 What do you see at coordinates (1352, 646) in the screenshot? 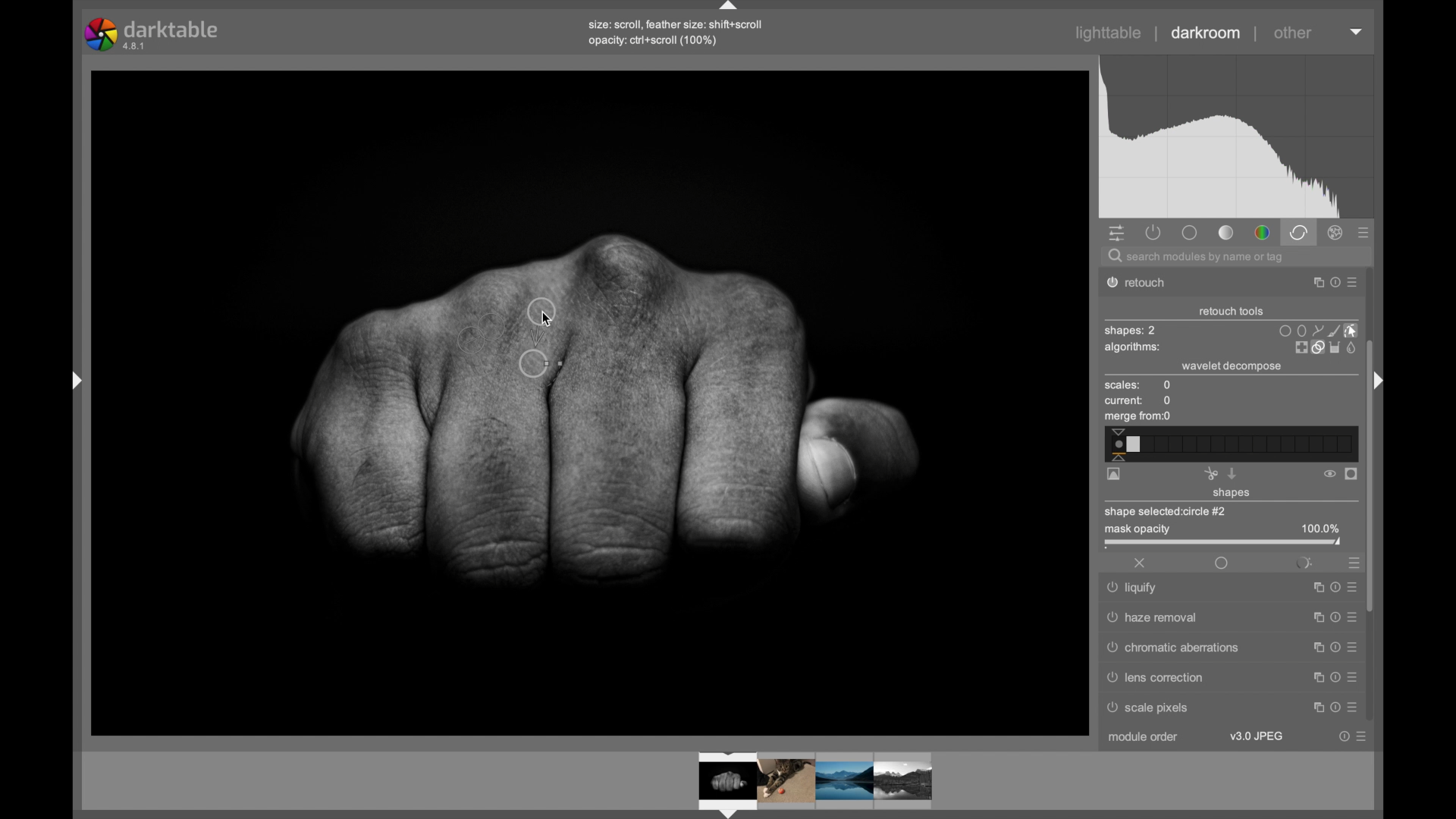
I see `more options` at bounding box center [1352, 646].